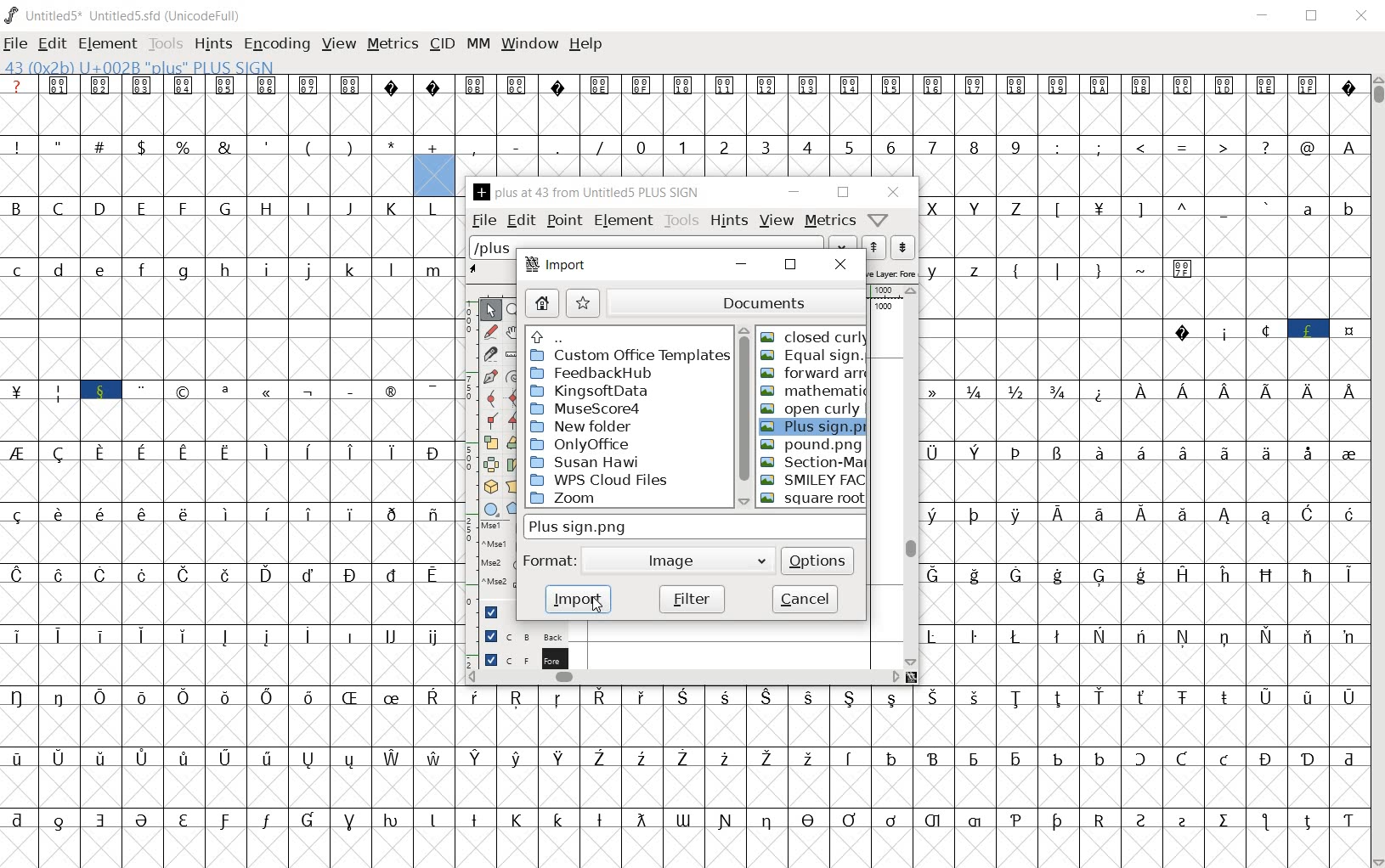  What do you see at coordinates (248, 531) in the screenshot?
I see `Latin extended characters` at bounding box center [248, 531].